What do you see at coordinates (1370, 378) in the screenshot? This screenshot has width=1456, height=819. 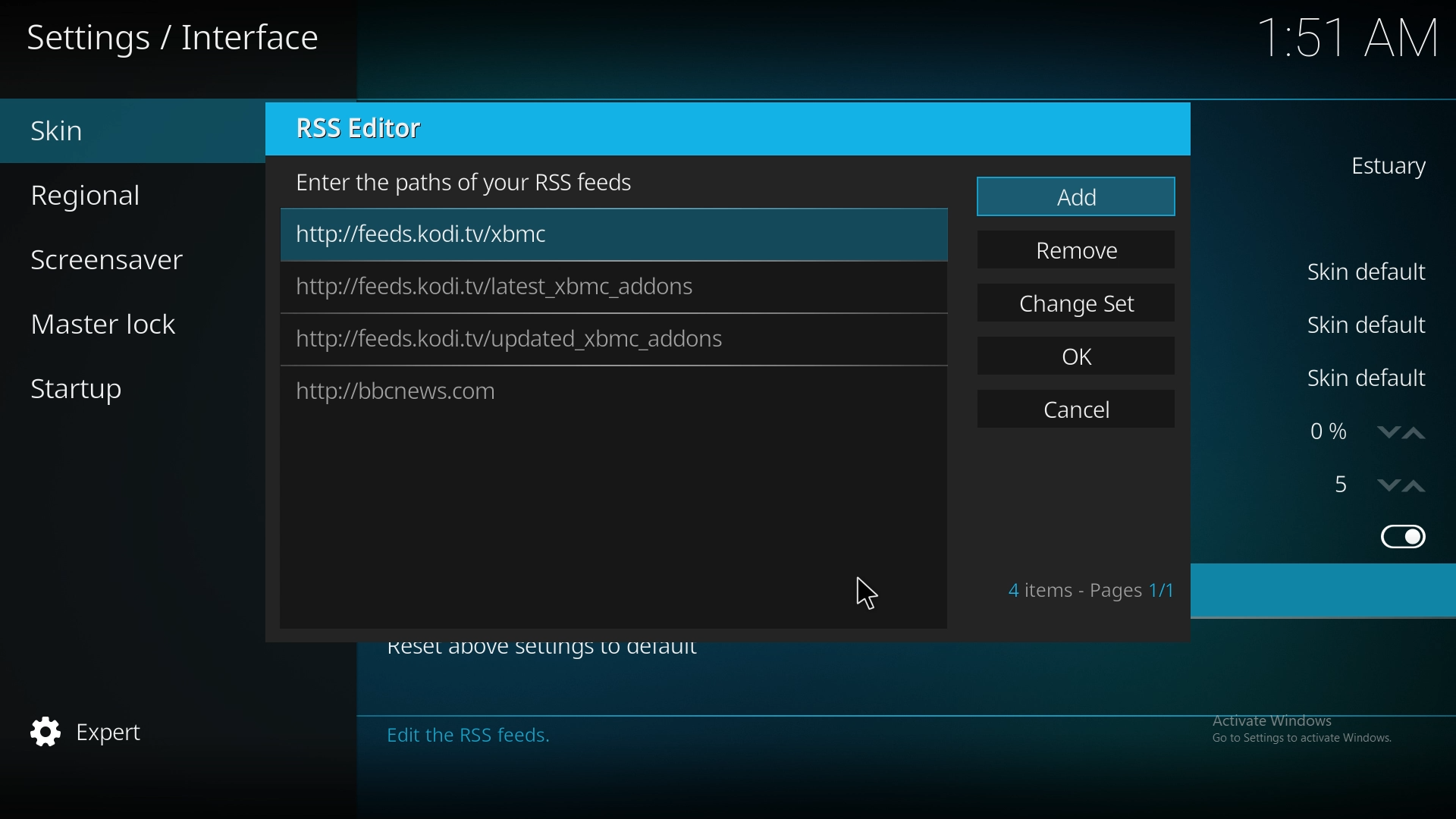 I see `skin default` at bounding box center [1370, 378].